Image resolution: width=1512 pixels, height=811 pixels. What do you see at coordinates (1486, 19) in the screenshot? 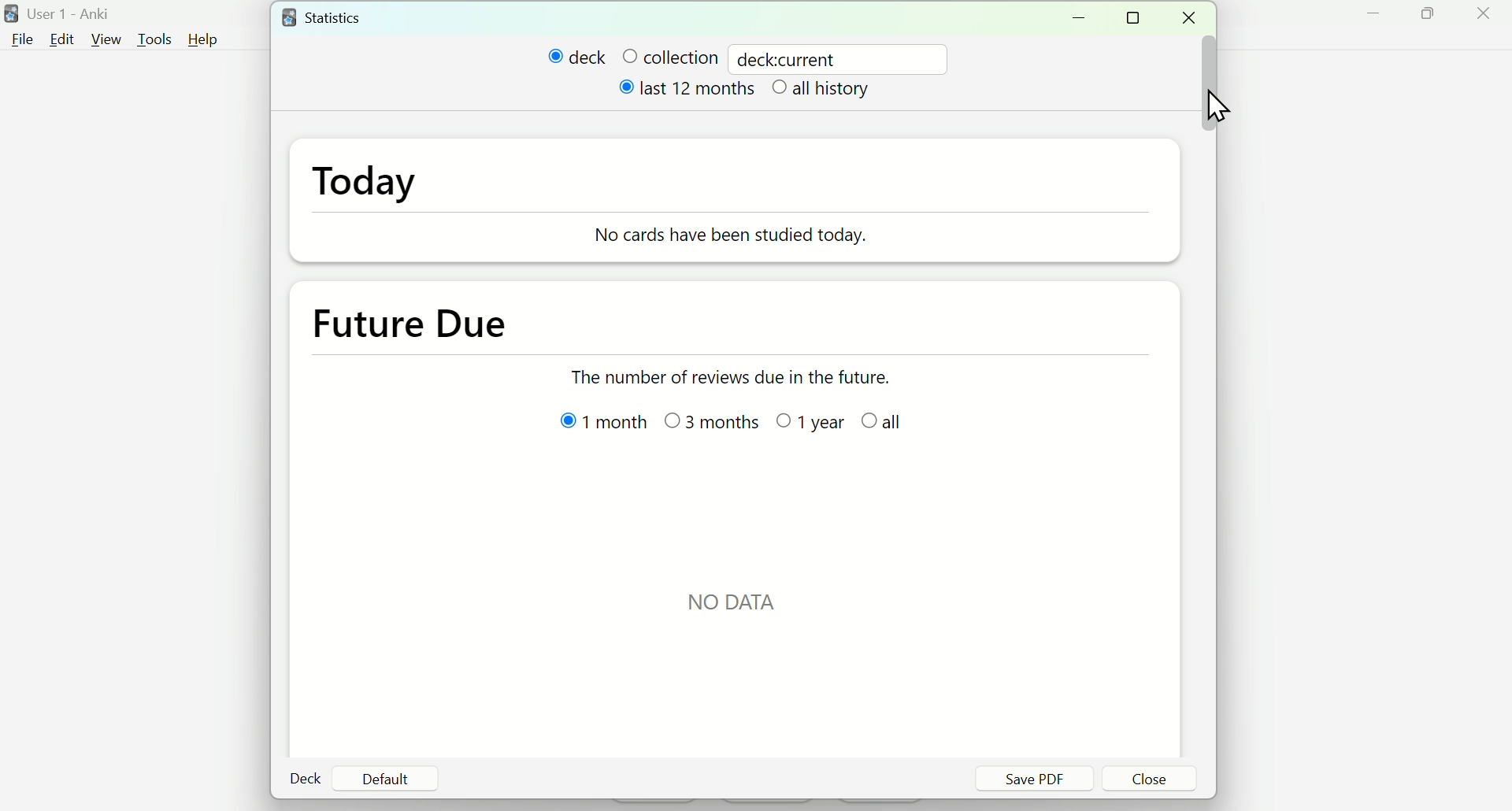
I see `Close` at bounding box center [1486, 19].